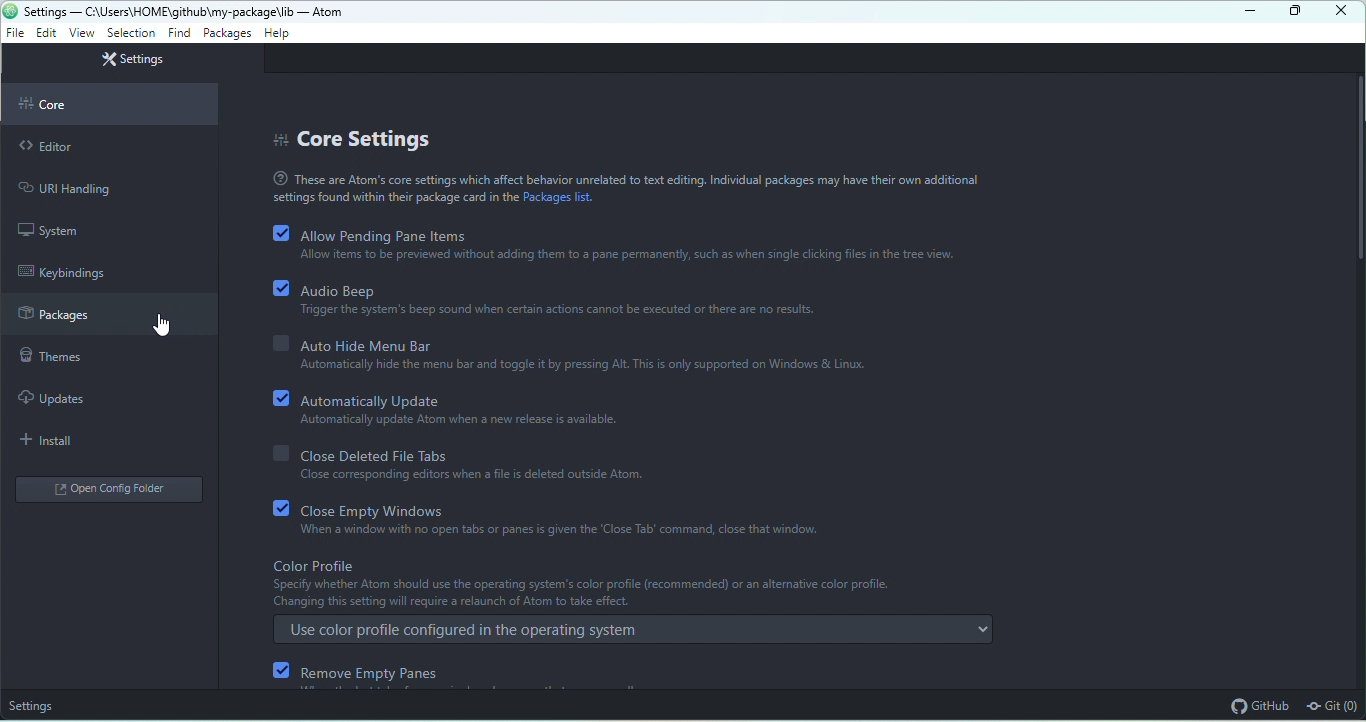 The height and width of the screenshot is (722, 1366). I want to click on core, so click(112, 105).